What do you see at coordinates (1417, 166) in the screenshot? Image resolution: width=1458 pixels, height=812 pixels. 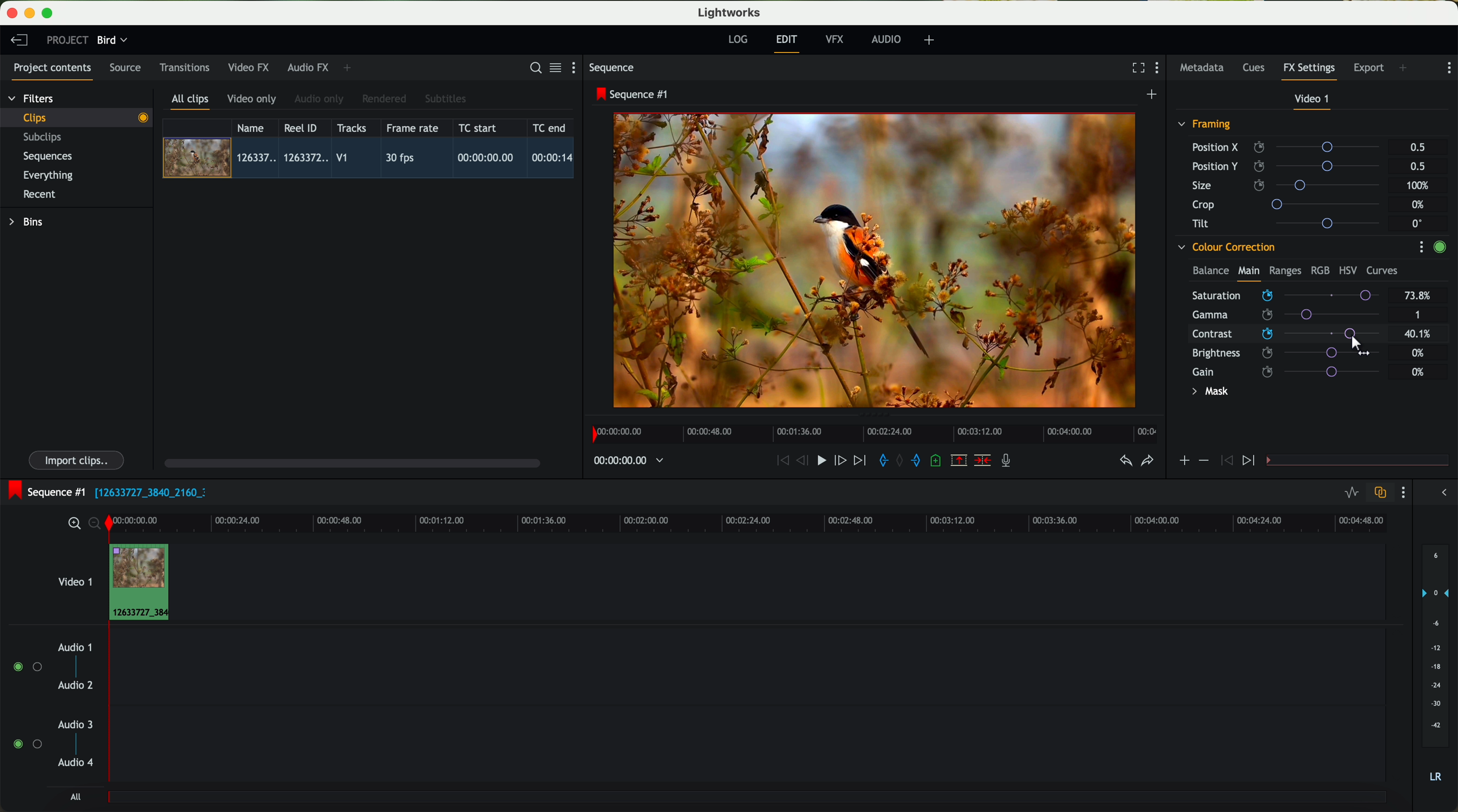 I see `0.5` at bounding box center [1417, 166].